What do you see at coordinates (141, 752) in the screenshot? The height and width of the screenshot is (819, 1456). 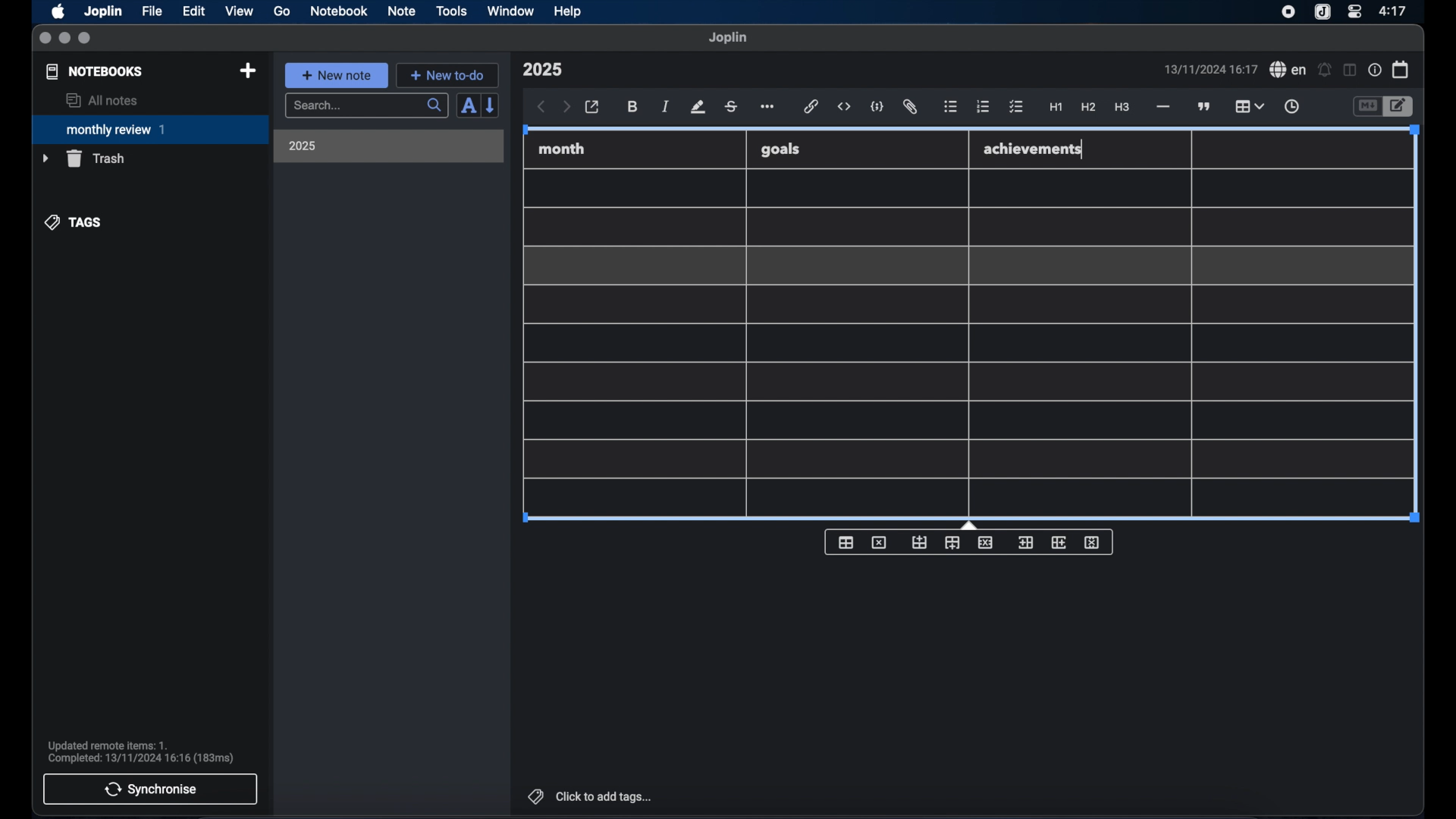 I see `sync notification` at bounding box center [141, 752].